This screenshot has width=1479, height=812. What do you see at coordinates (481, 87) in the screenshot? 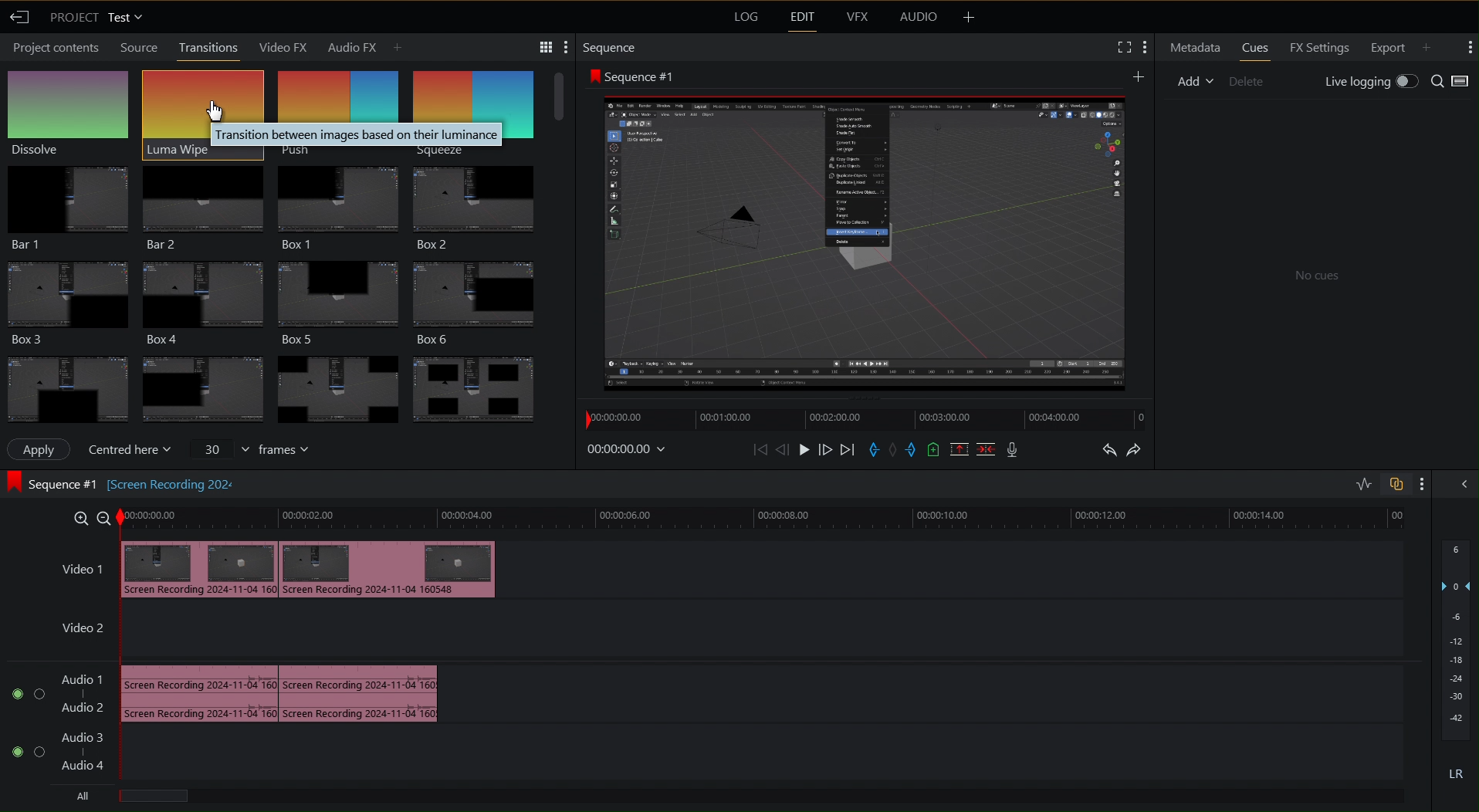
I see `Sequence` at bounding box center [481, 87].